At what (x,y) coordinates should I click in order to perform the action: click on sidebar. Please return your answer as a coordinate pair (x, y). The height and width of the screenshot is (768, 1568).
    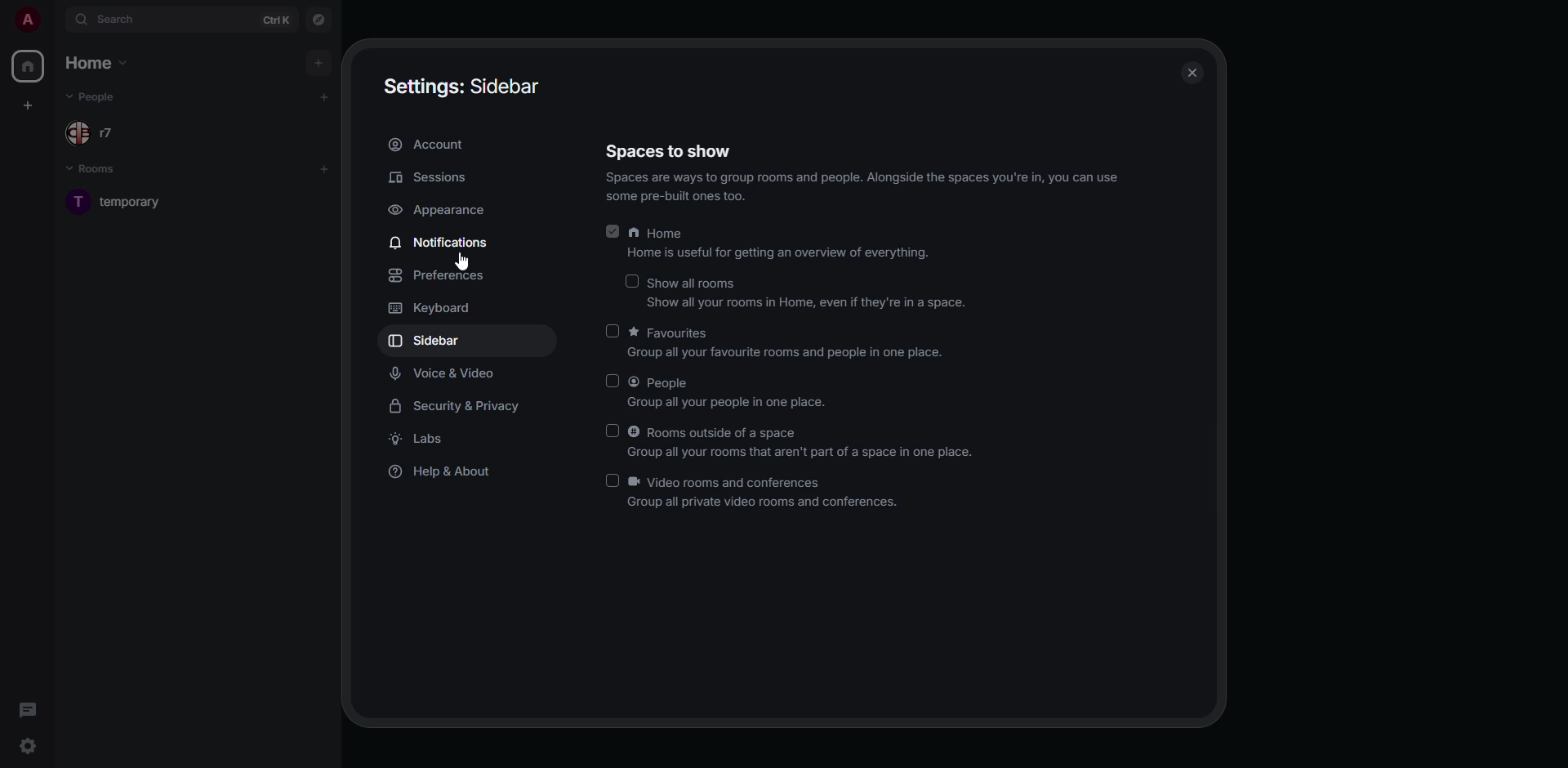
    Looking at the image, I should click on (427, 340).